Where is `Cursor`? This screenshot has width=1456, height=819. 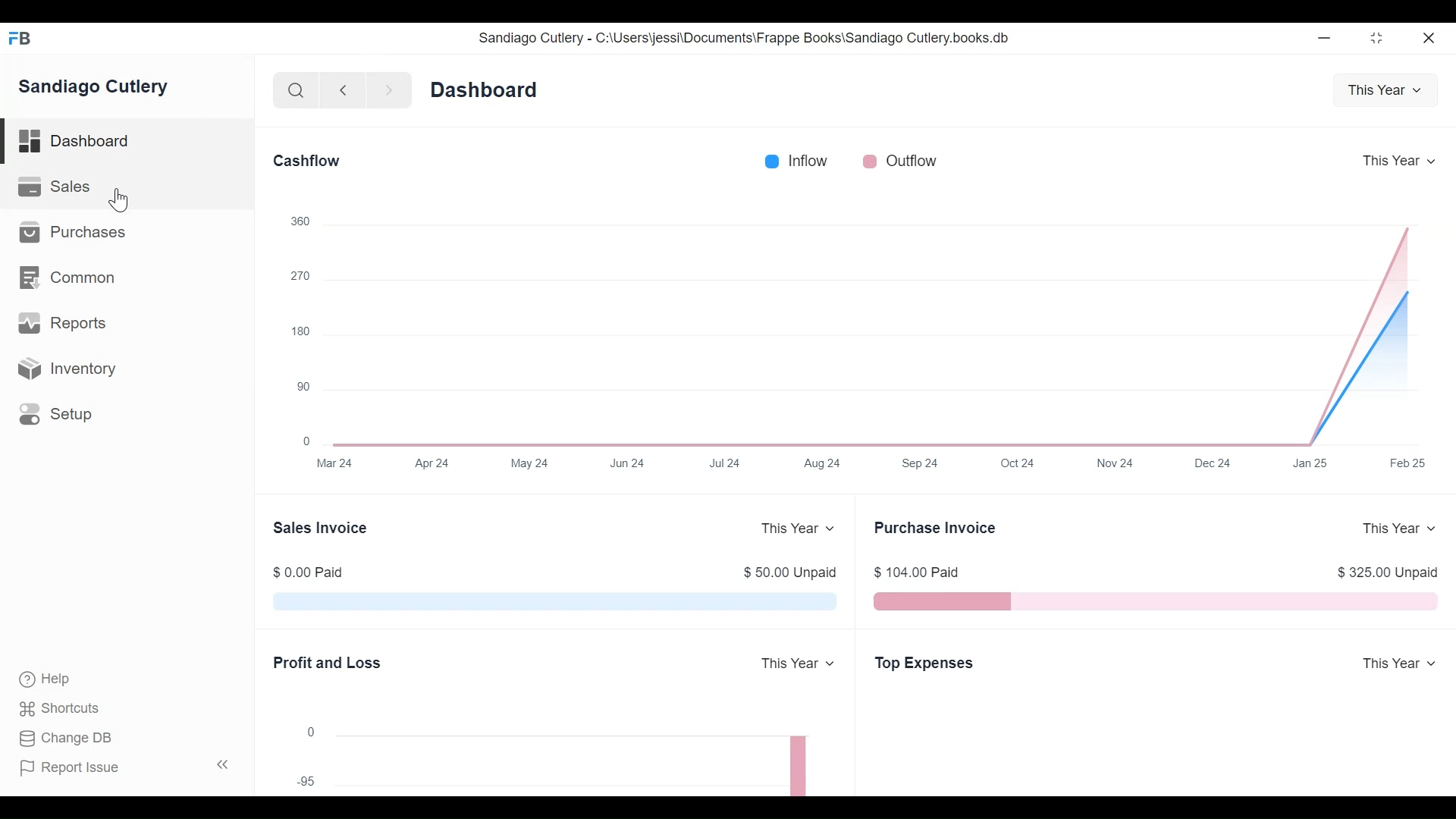
Cursor is located at coordinates (120, 202).